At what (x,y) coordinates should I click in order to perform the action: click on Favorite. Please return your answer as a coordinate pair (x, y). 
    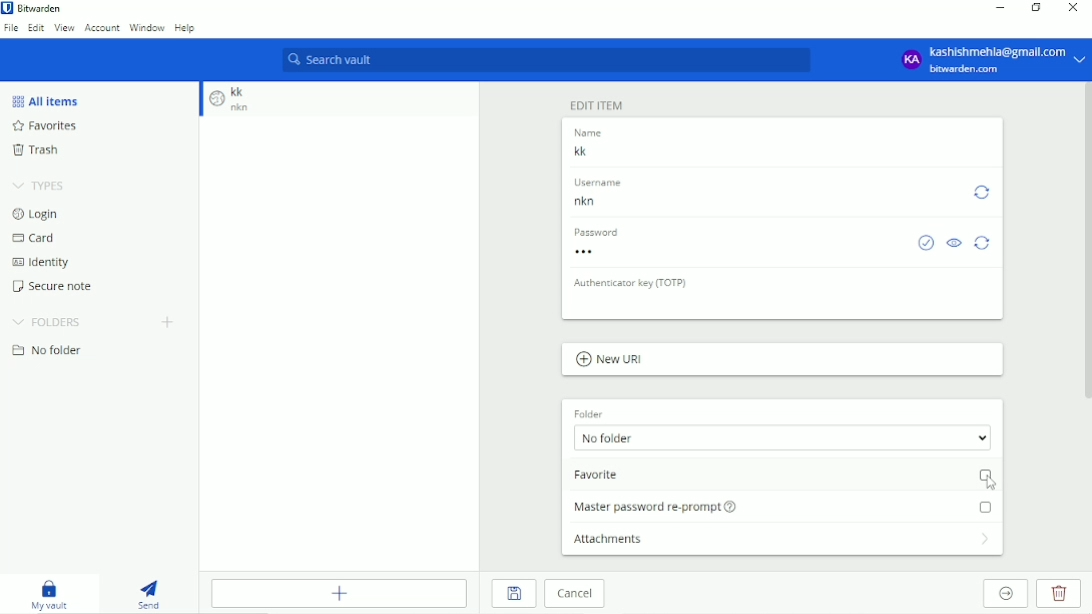
    Looking at the image, I should click on (782, 475).